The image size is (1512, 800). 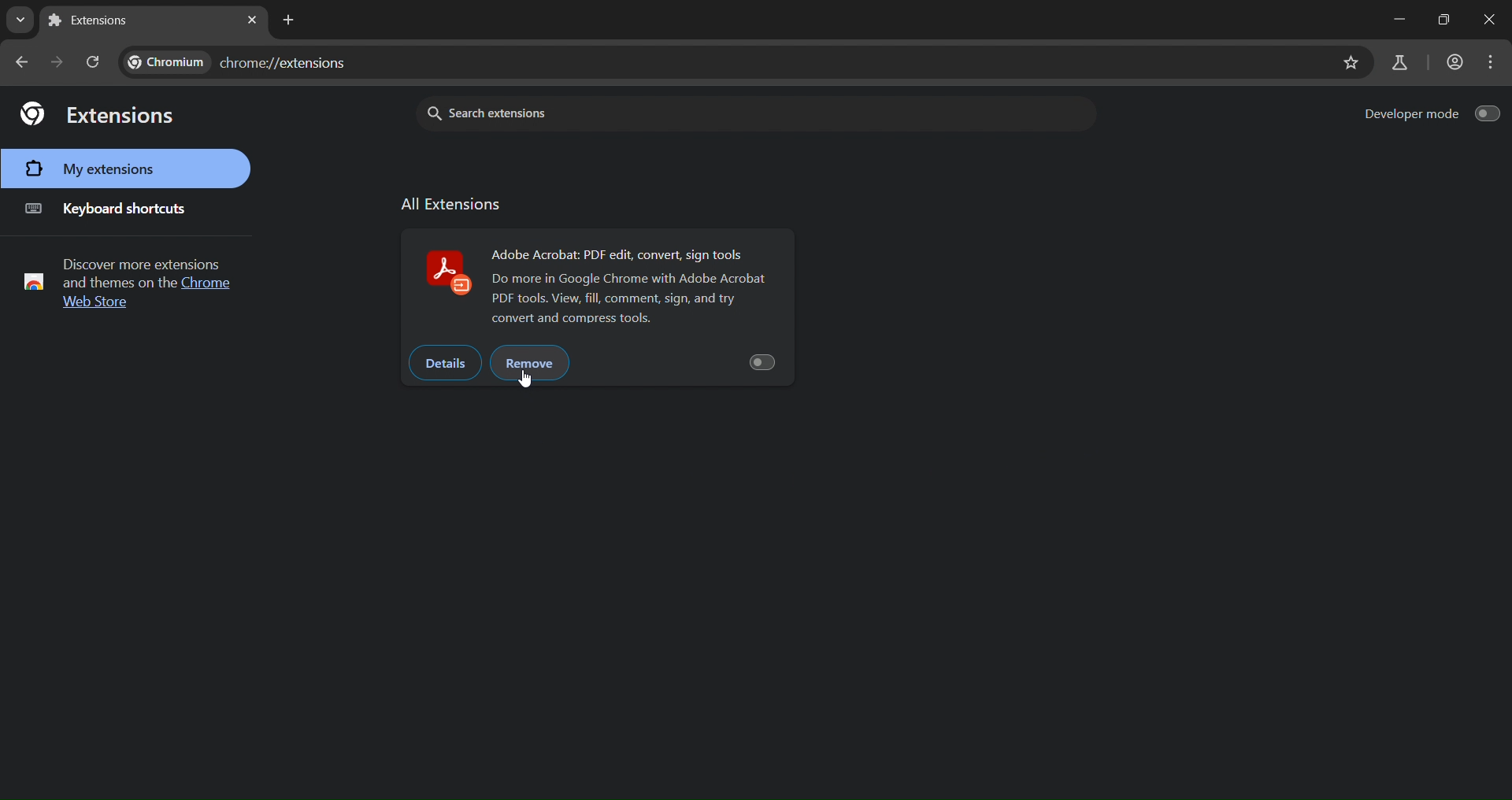 I want to click on Adobe acrobat logo, so click(x=443, y=277).